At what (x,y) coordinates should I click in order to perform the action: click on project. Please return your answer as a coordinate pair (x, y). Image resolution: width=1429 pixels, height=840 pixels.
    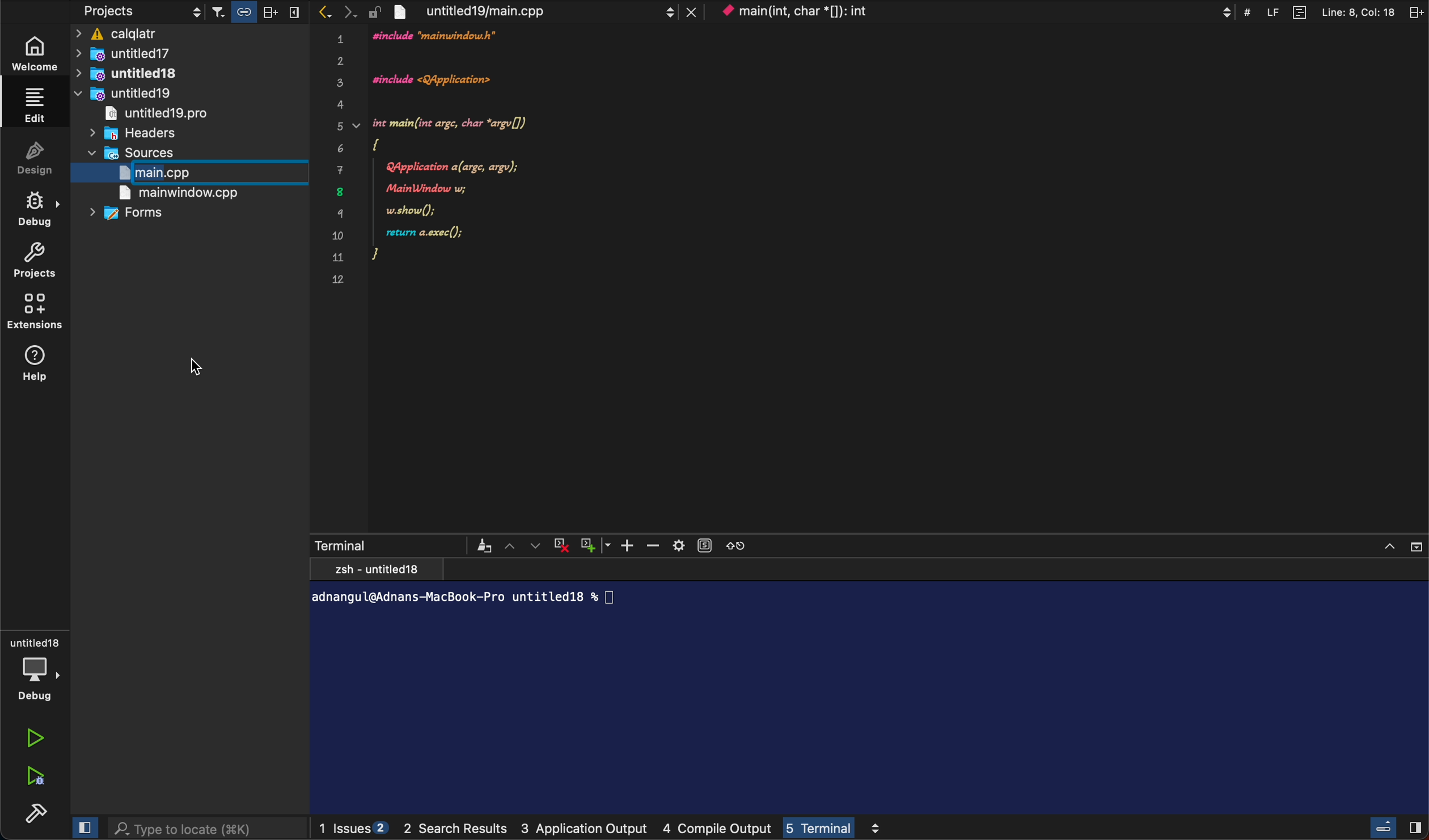
    Looking at the image, I should click on (41, 262).